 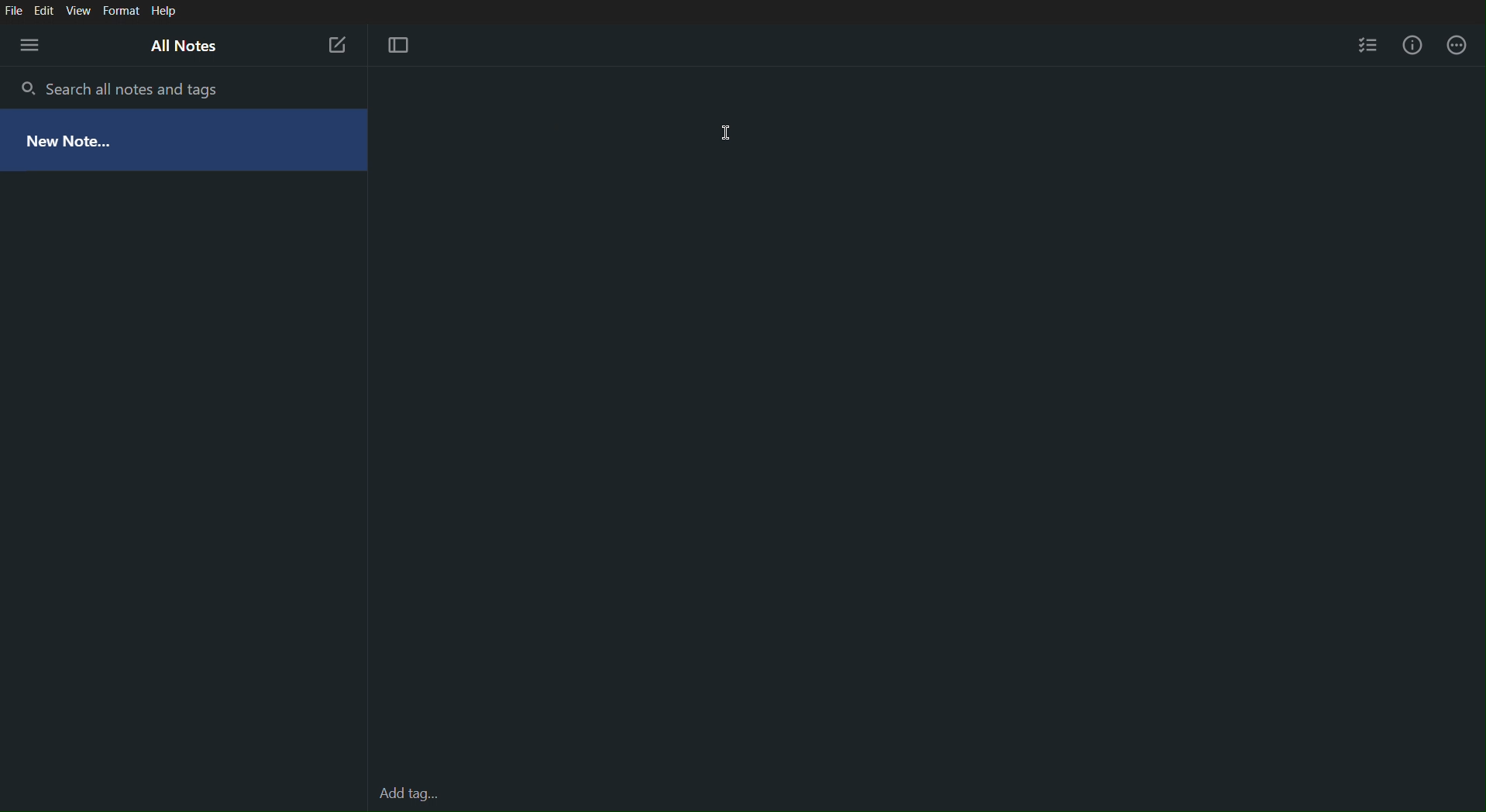 What do you see at coordinates (336, 45) in the screenshot?
I see `New Note` at bounding box center [336, 45].